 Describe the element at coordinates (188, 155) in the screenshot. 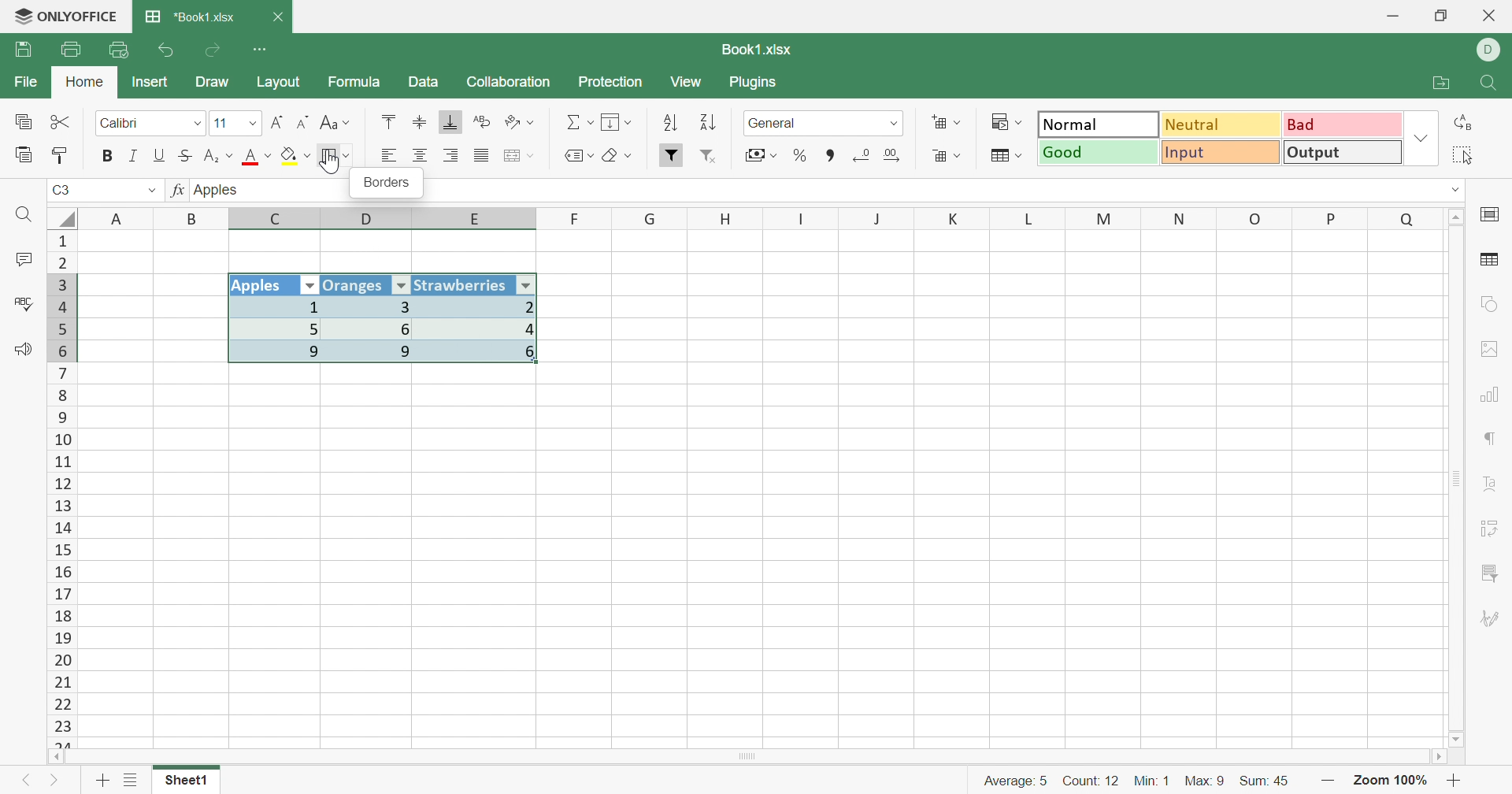

I see `Strikethrough` at that location.